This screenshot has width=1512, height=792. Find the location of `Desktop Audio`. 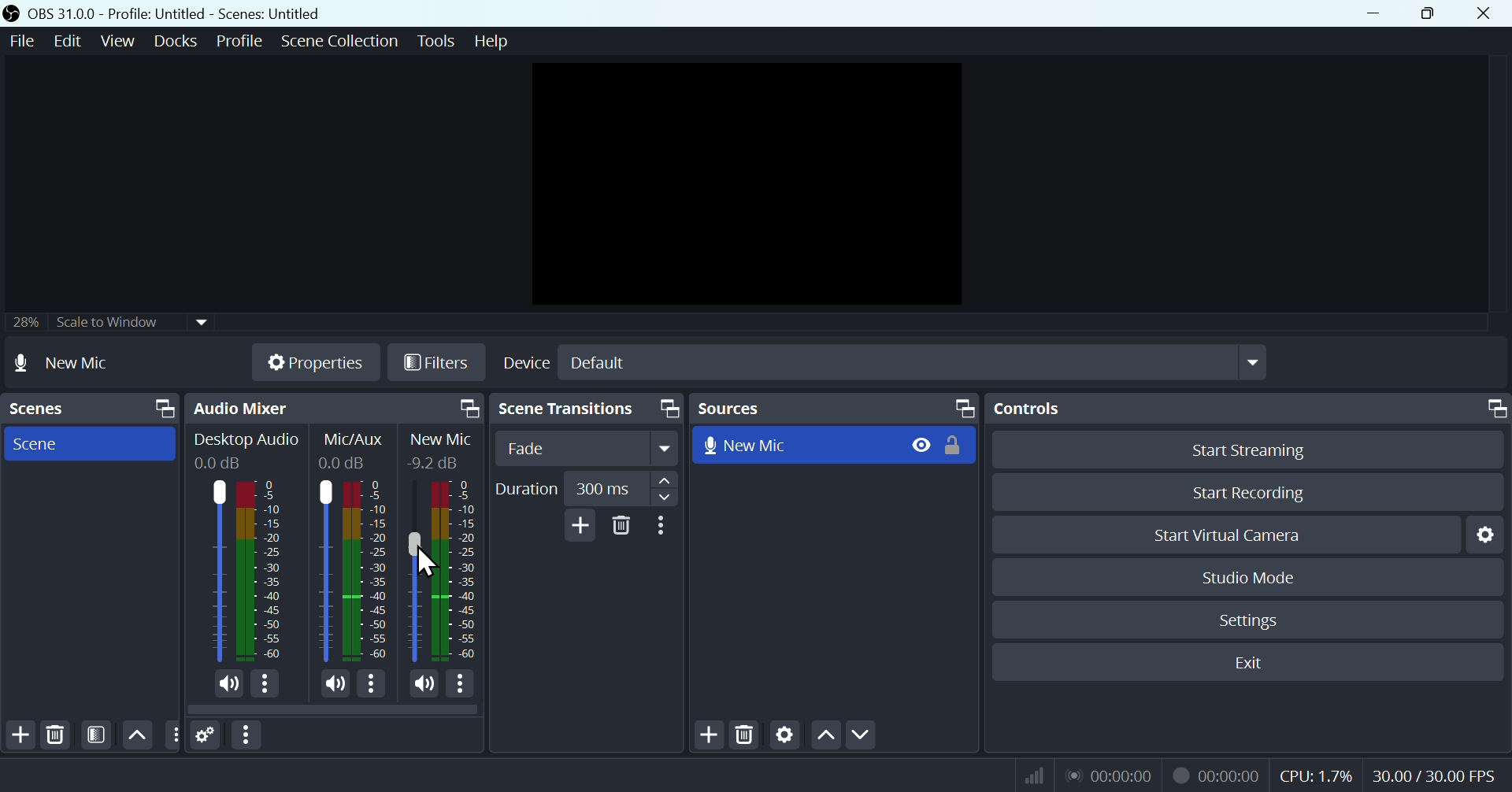

Desktop Audio is located at coordinates (246, 441).